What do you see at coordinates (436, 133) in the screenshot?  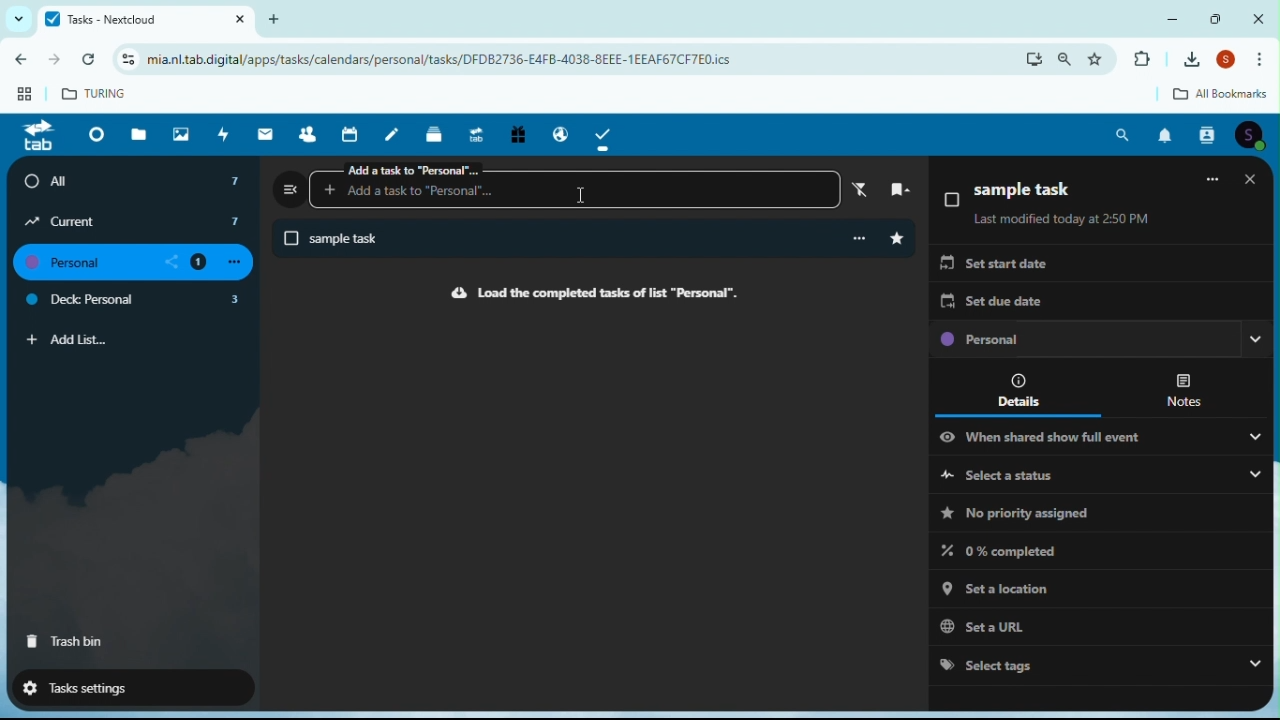 I see `deck` at bounding box center [436, 133].